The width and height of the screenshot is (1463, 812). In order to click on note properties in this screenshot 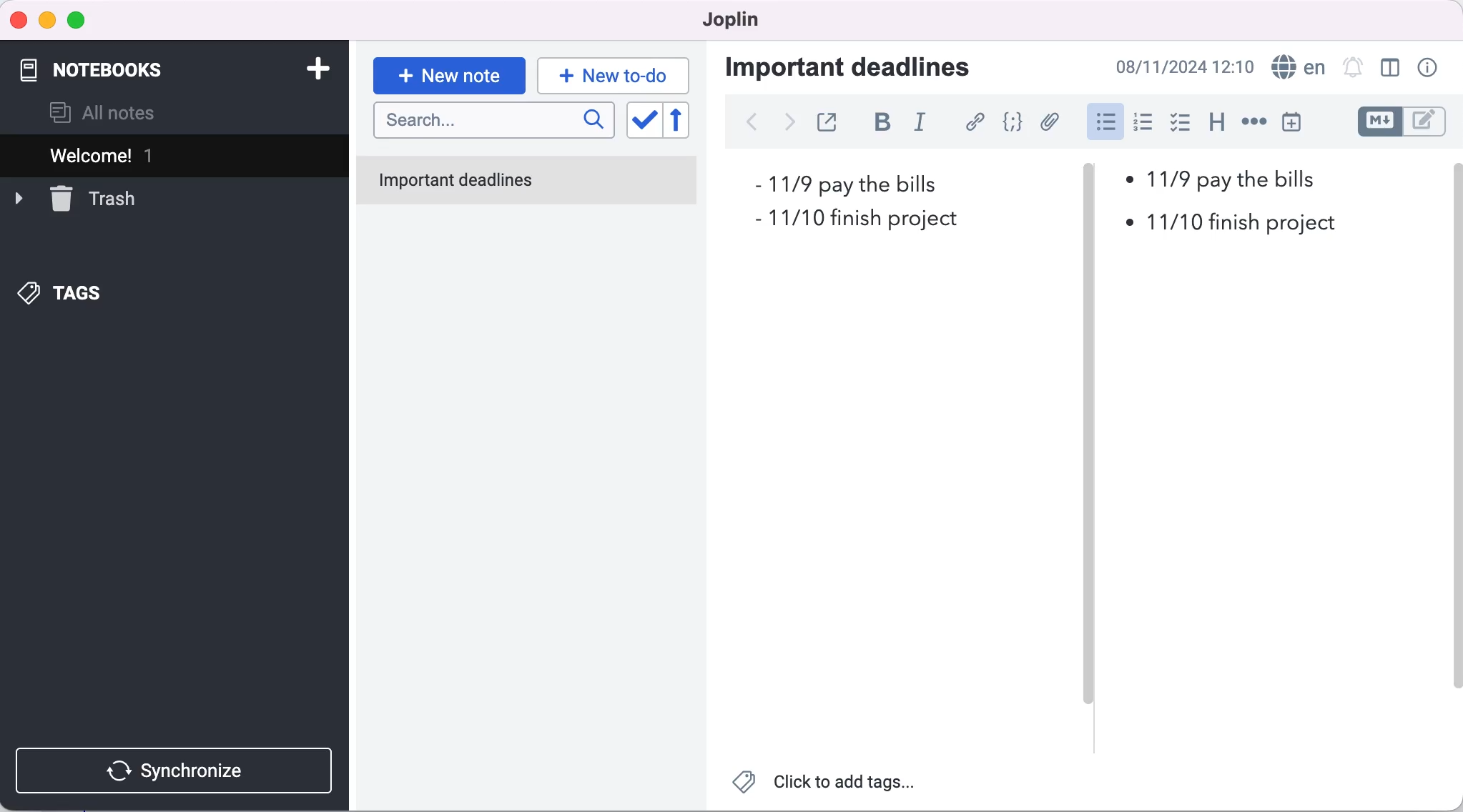, I will do `click(1432, 69)`.